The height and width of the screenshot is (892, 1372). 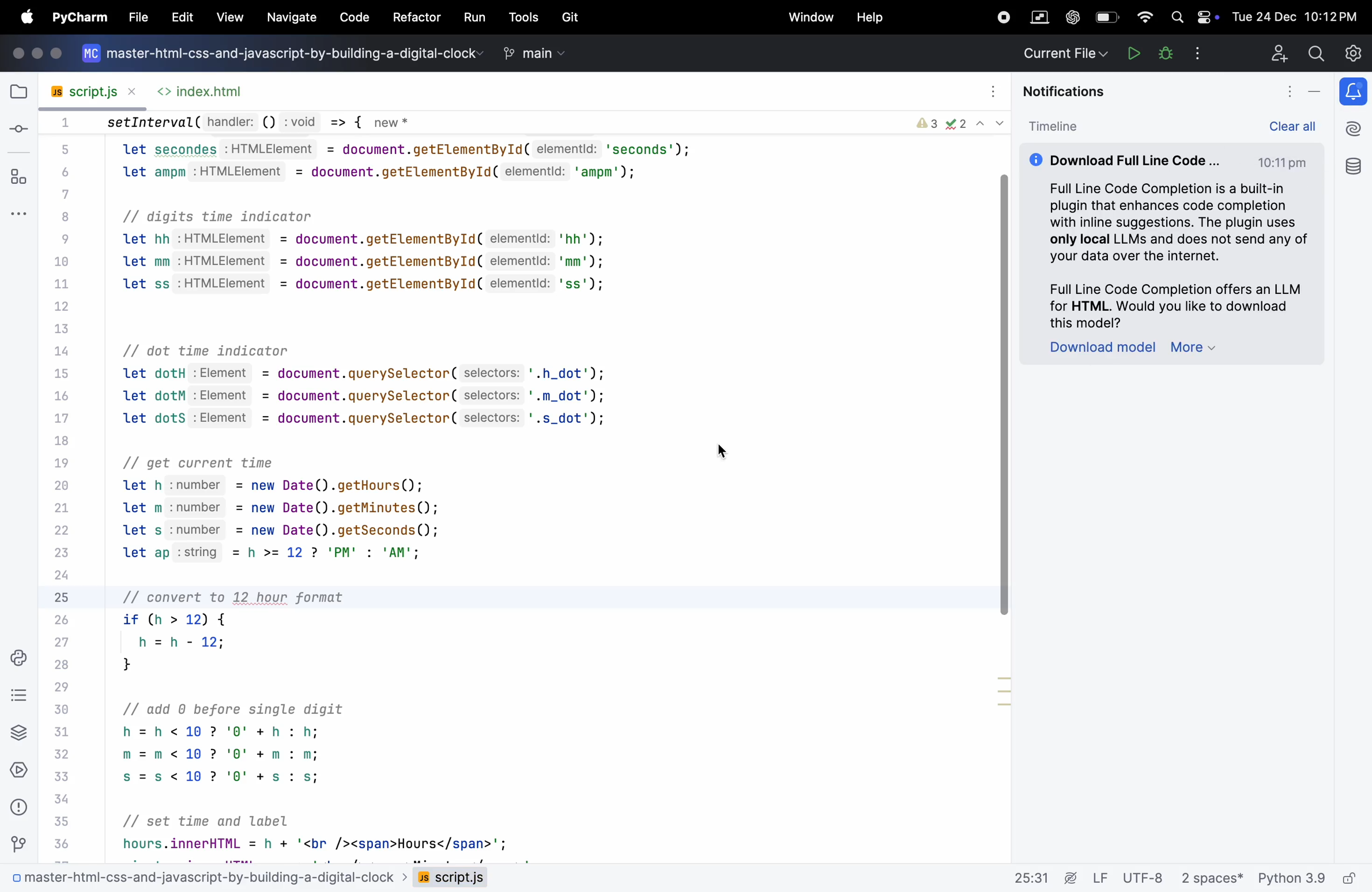 I want to click on Full Line Code Completion is a built-inplugin that enhances code completionwith inline suggestions. The plugin usesonly local LLMs and does not send any ofyour data over the internet.Full Line Code Completion offers an LLMfor HTML. Would you like to download this model?, so click(x=1169, y=252).